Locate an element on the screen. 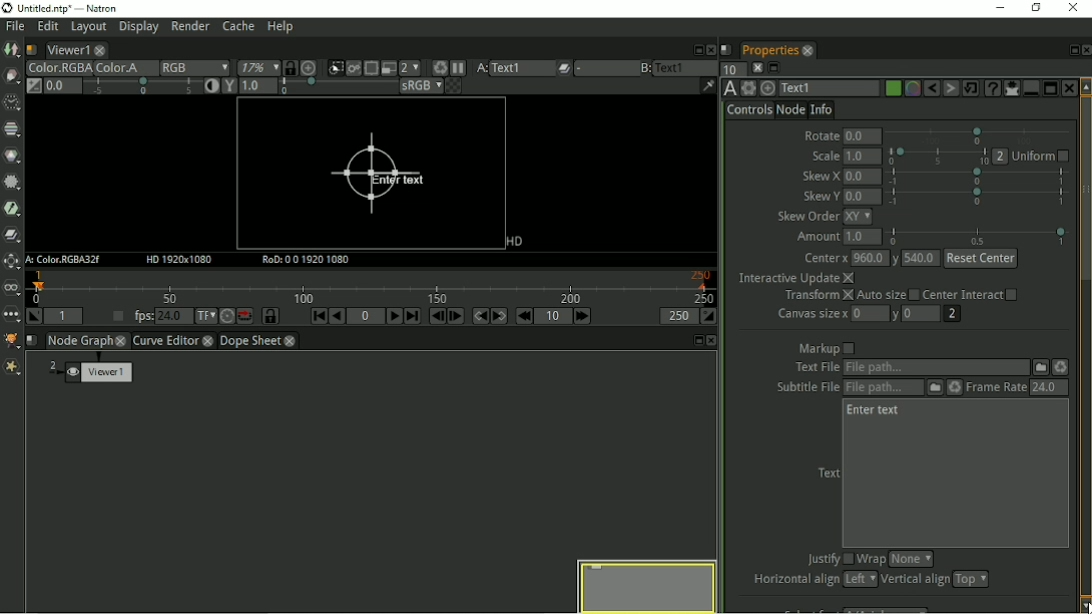 Image resolution: width=1092 pixels, height=614 pixels. Float pane is located at coordinates (696, 340).